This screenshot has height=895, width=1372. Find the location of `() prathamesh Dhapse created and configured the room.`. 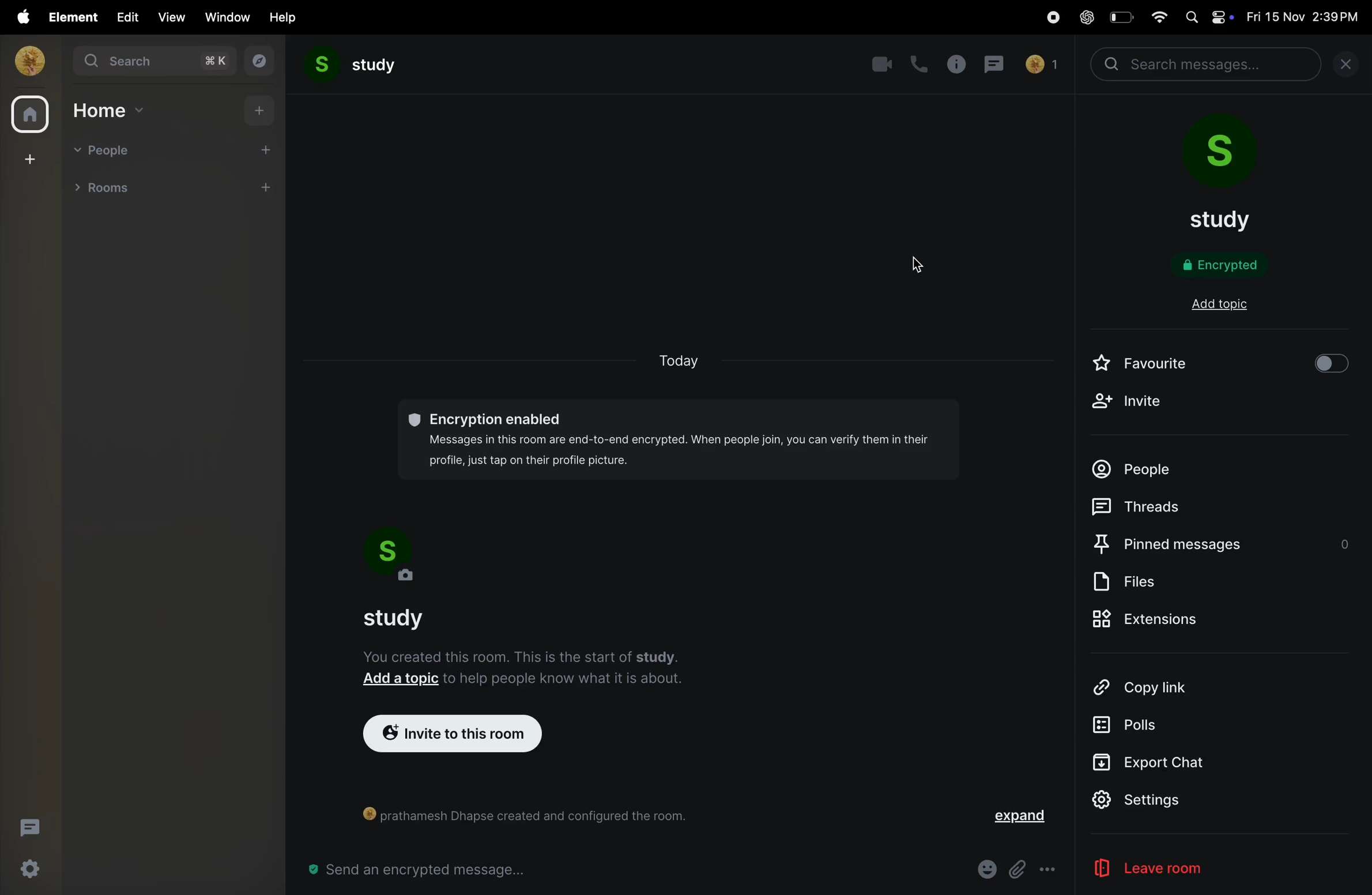

() prathamesh Dhapse created and configured the room. is located at coordinates (526, 815).